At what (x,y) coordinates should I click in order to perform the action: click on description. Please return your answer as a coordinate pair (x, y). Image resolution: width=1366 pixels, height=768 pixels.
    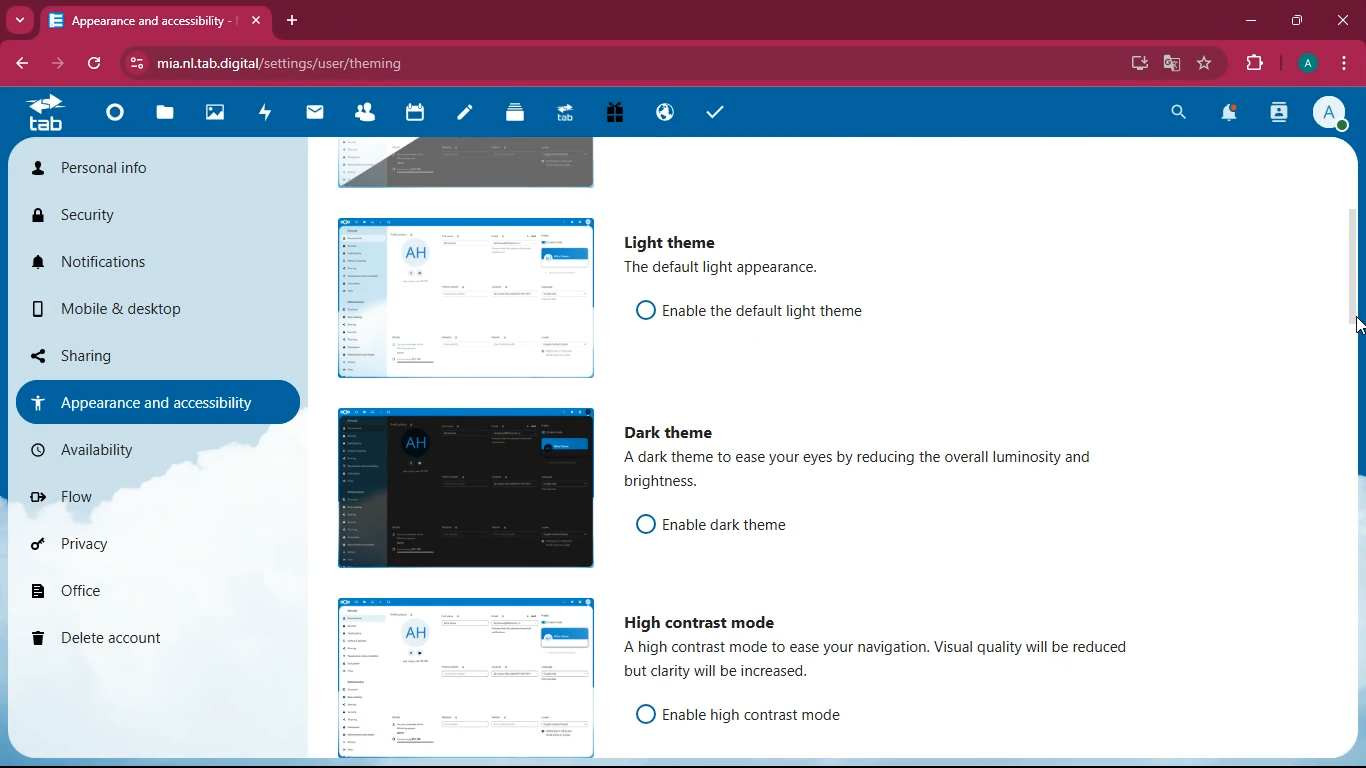
    Looking at the image, I should click on (884, 473).